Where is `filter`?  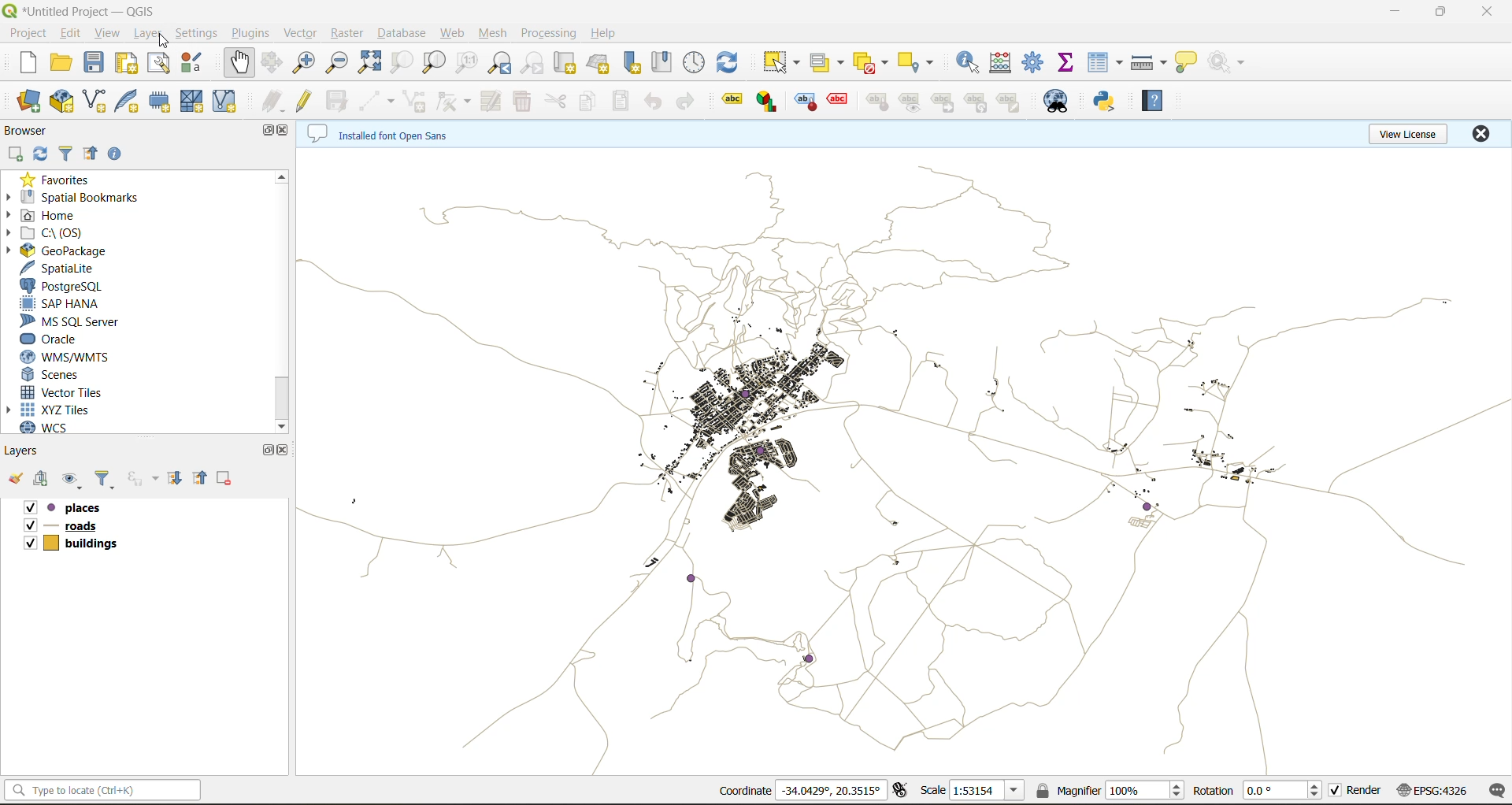 filter is located at coordinates (67, 154).